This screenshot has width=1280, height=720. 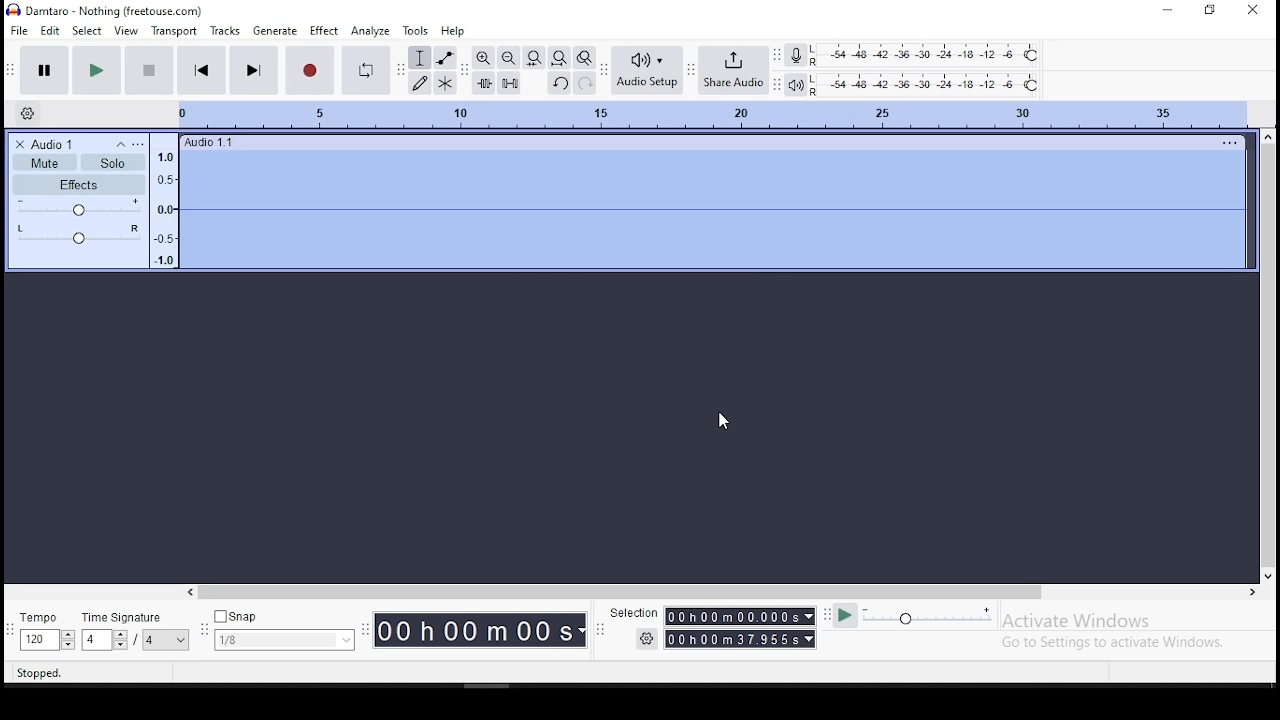 What do you see at coordinates (560, 82) in the screenshot?
I see `undo` at bounding box center [560, 82].